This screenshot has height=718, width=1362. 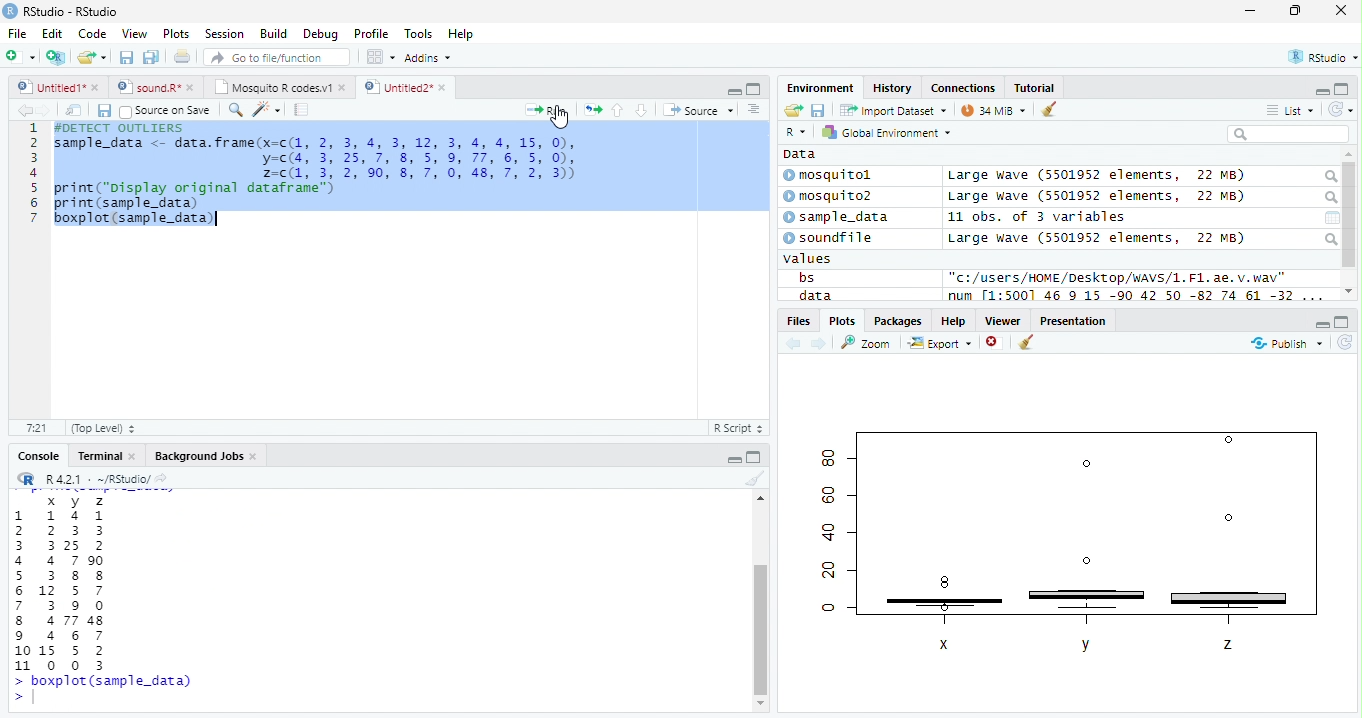 I want to click on scroll down, so click(x=1349, y=291).